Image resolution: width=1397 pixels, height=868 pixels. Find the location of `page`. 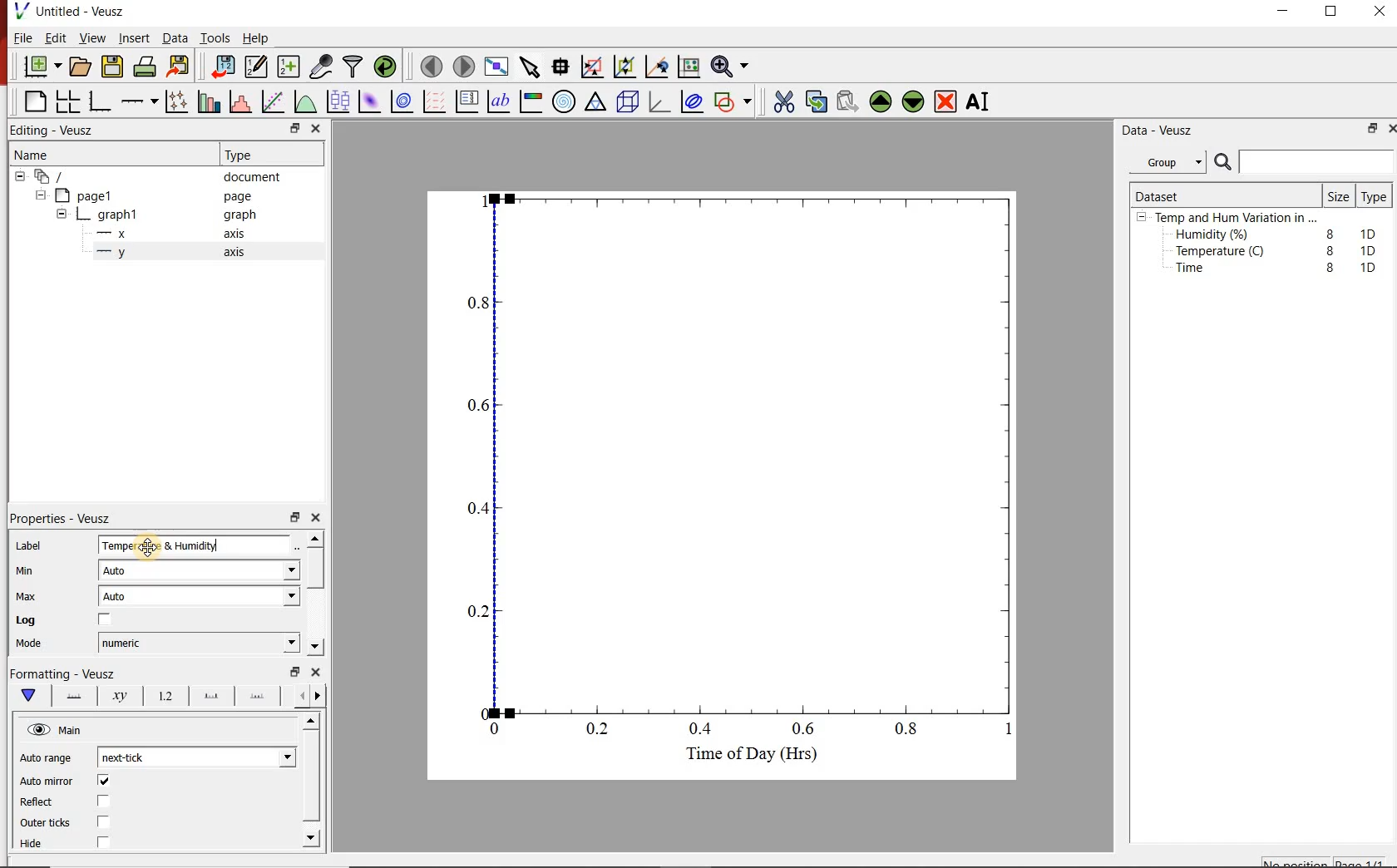

page is located at coordinates (241, 197).